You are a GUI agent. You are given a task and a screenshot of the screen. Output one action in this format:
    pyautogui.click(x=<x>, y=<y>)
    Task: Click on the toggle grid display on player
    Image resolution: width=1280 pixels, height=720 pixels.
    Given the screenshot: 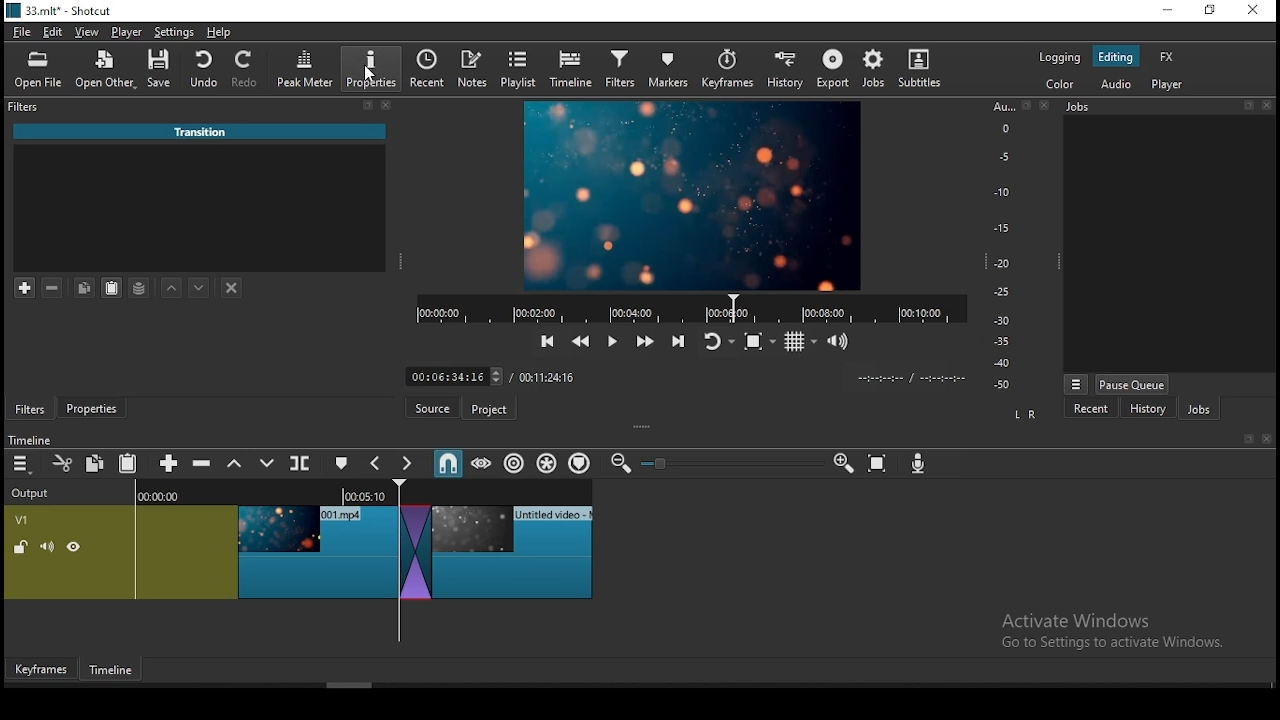 What is the action you would take?
    pyautogui.click(x=803, y=339)
    